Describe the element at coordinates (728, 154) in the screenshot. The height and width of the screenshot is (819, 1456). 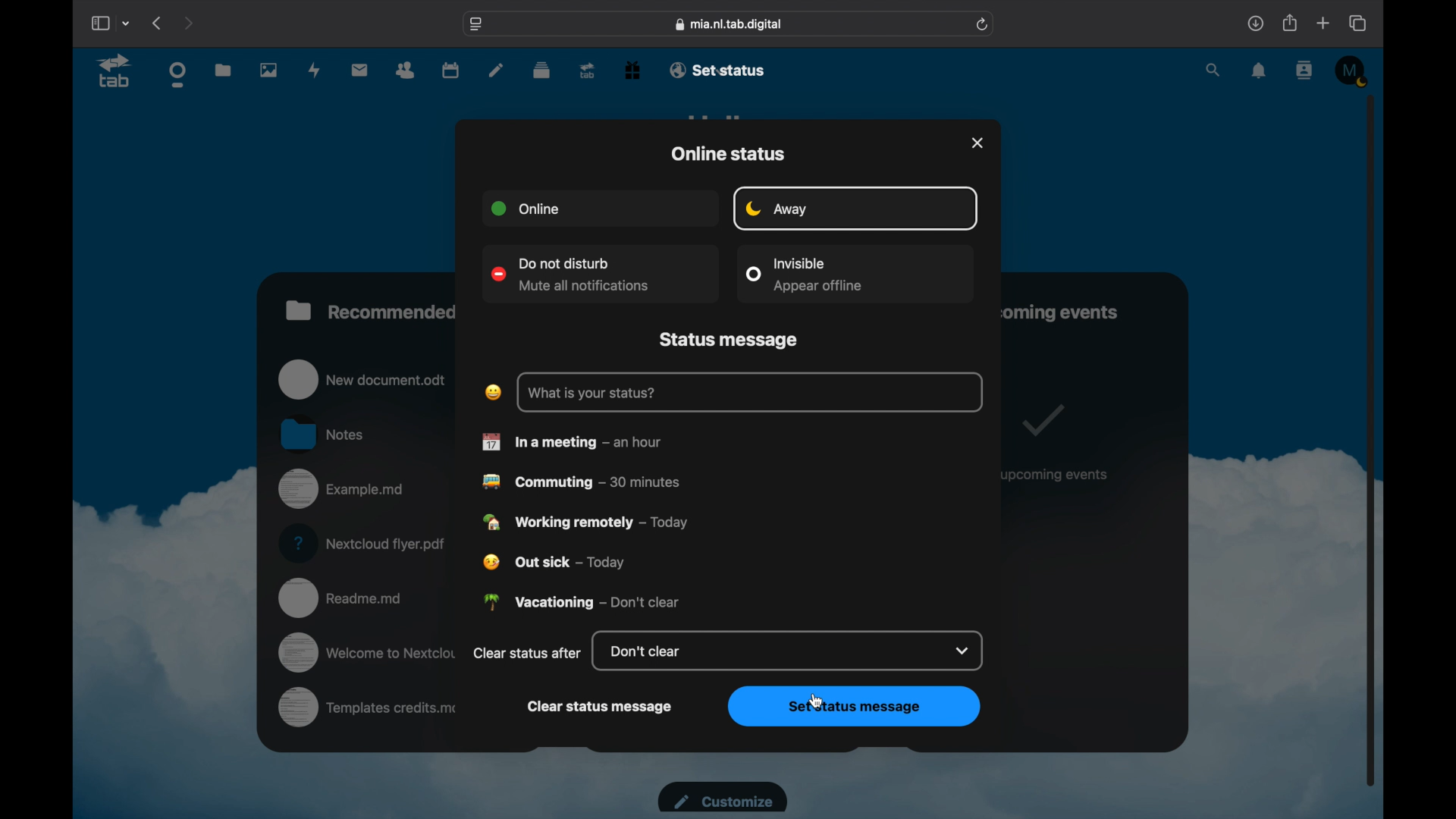
I see `online status` at that location.